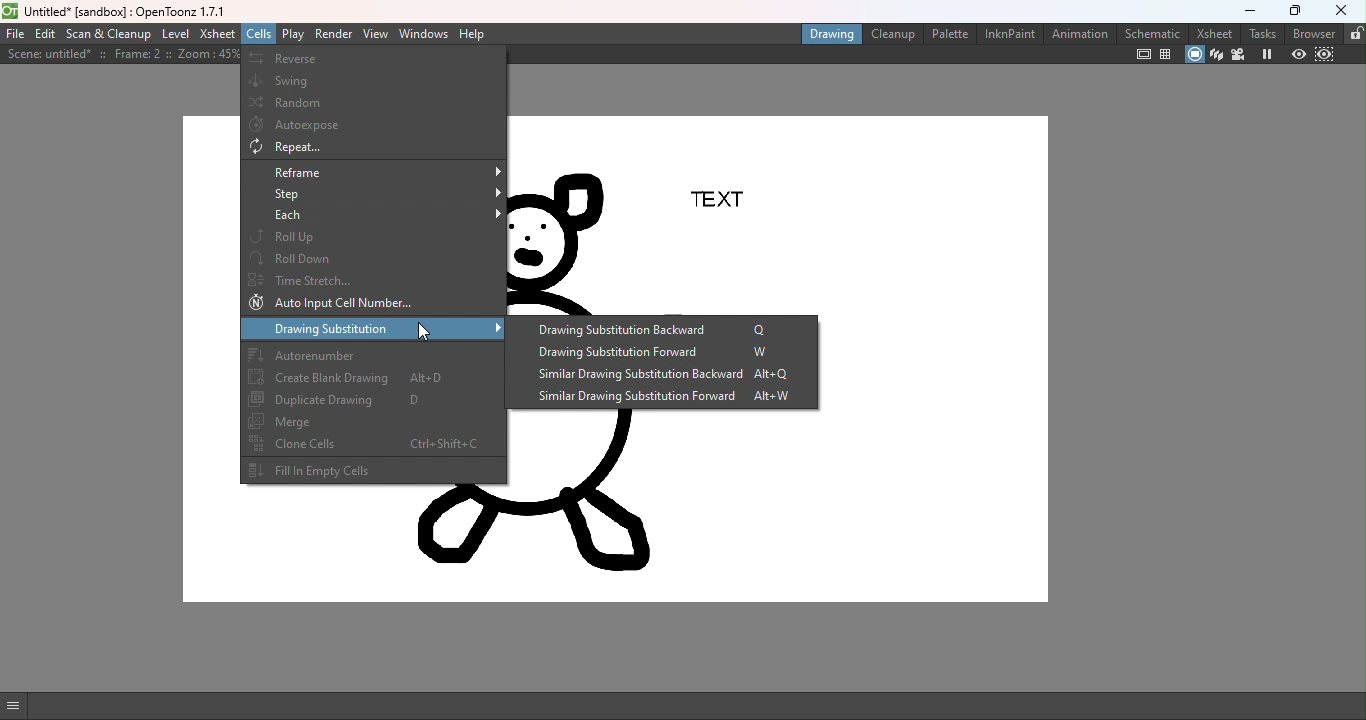 This screenshot has width=1366, height=720. What do you see at coordinates (1295, 54) in the screenshot?
I see `Preview` at bounding box center [1295, 54].